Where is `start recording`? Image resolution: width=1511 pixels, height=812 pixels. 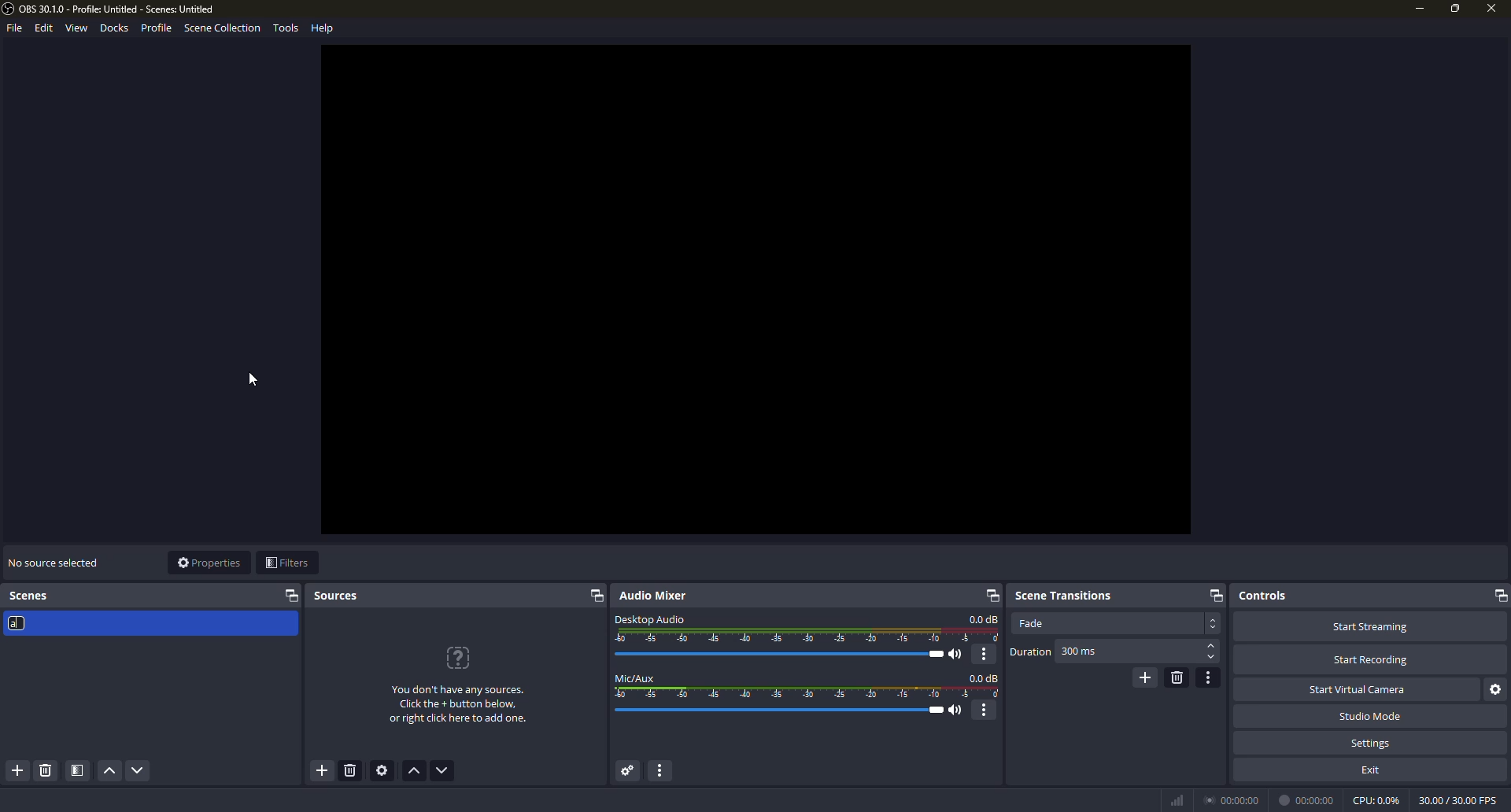
start recording is located at coordinates (1371, 660).